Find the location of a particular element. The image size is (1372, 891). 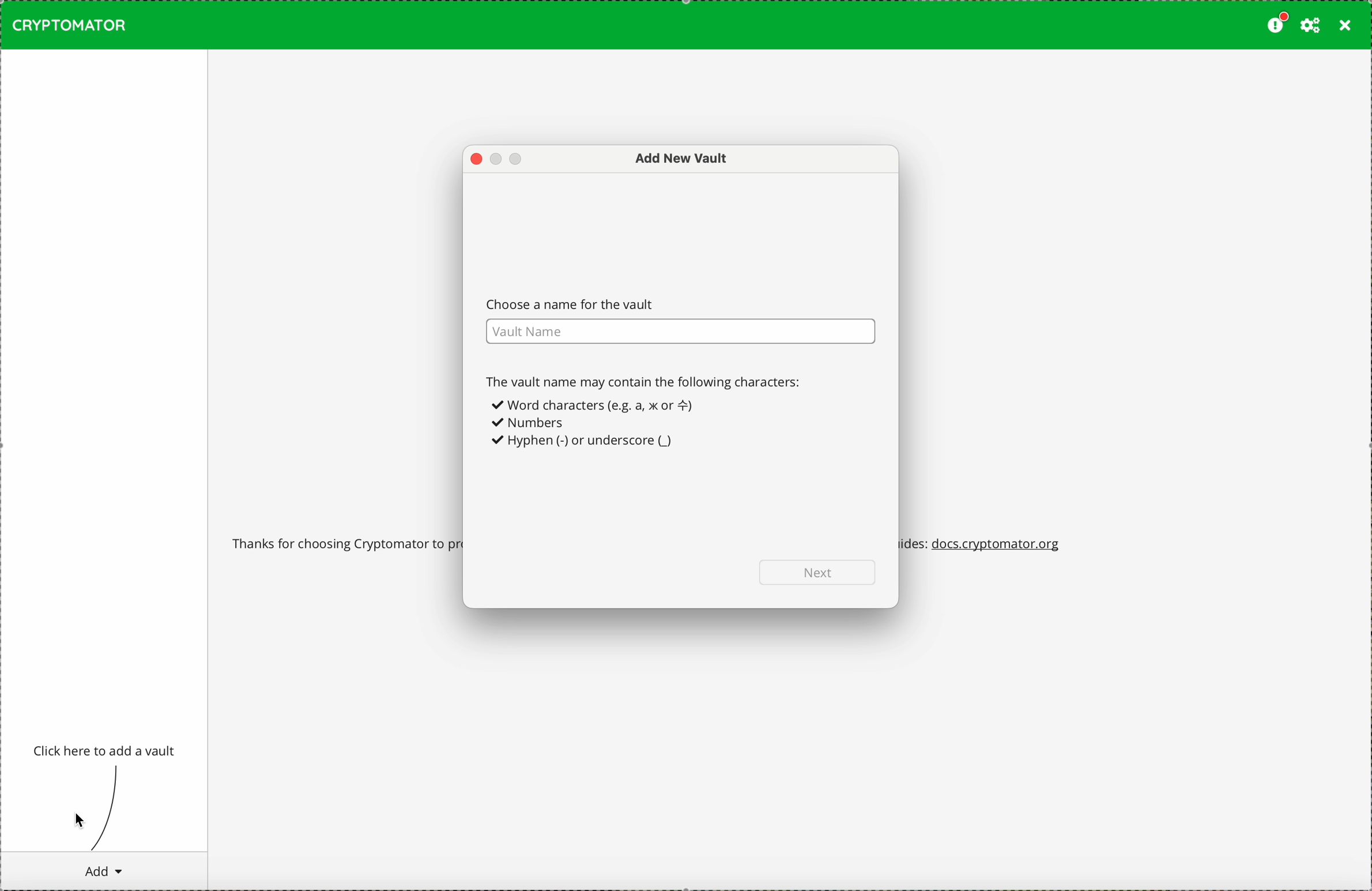

close is located at coordinates (476, 160).